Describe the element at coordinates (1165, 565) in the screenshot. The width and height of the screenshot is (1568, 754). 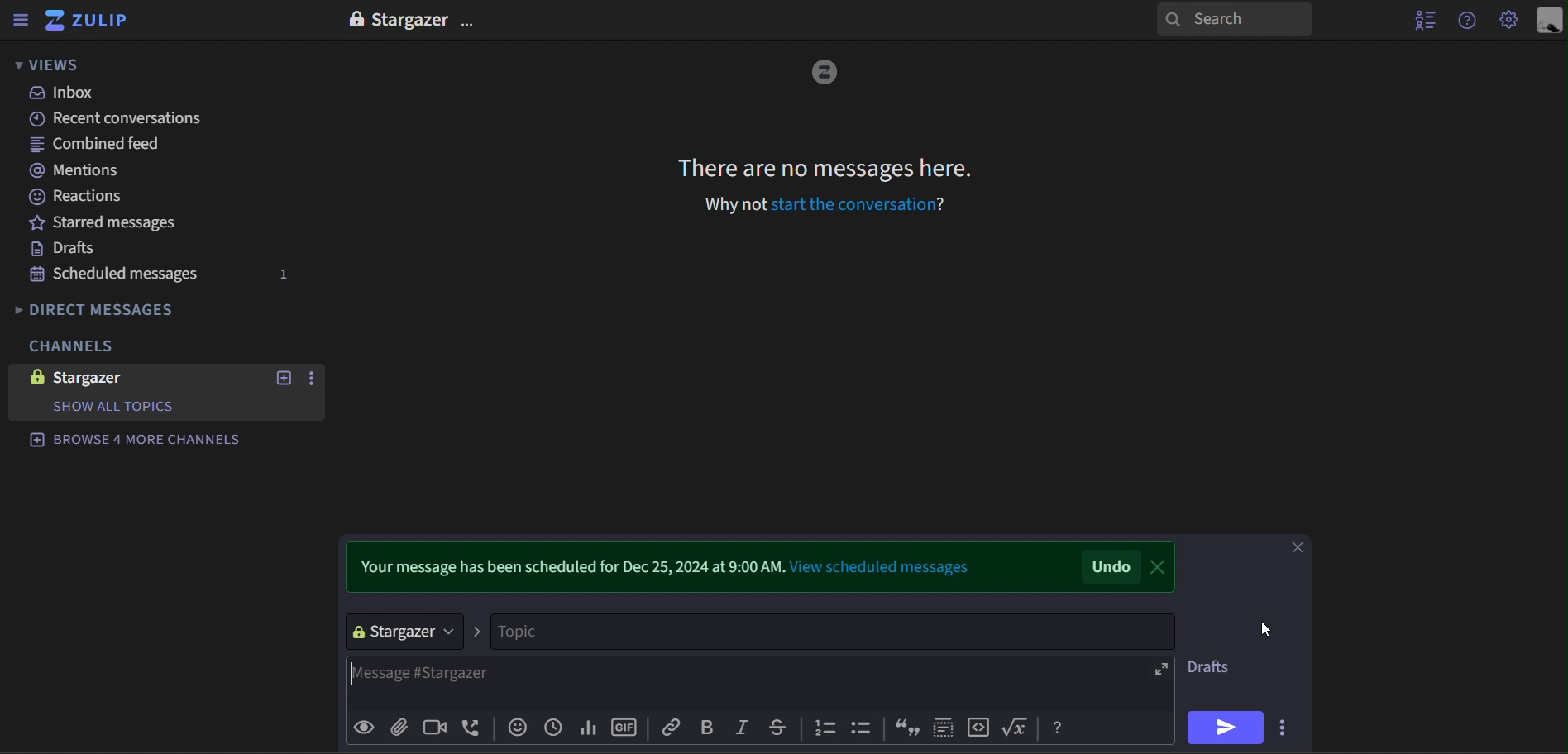
I see `Close ` at that location.